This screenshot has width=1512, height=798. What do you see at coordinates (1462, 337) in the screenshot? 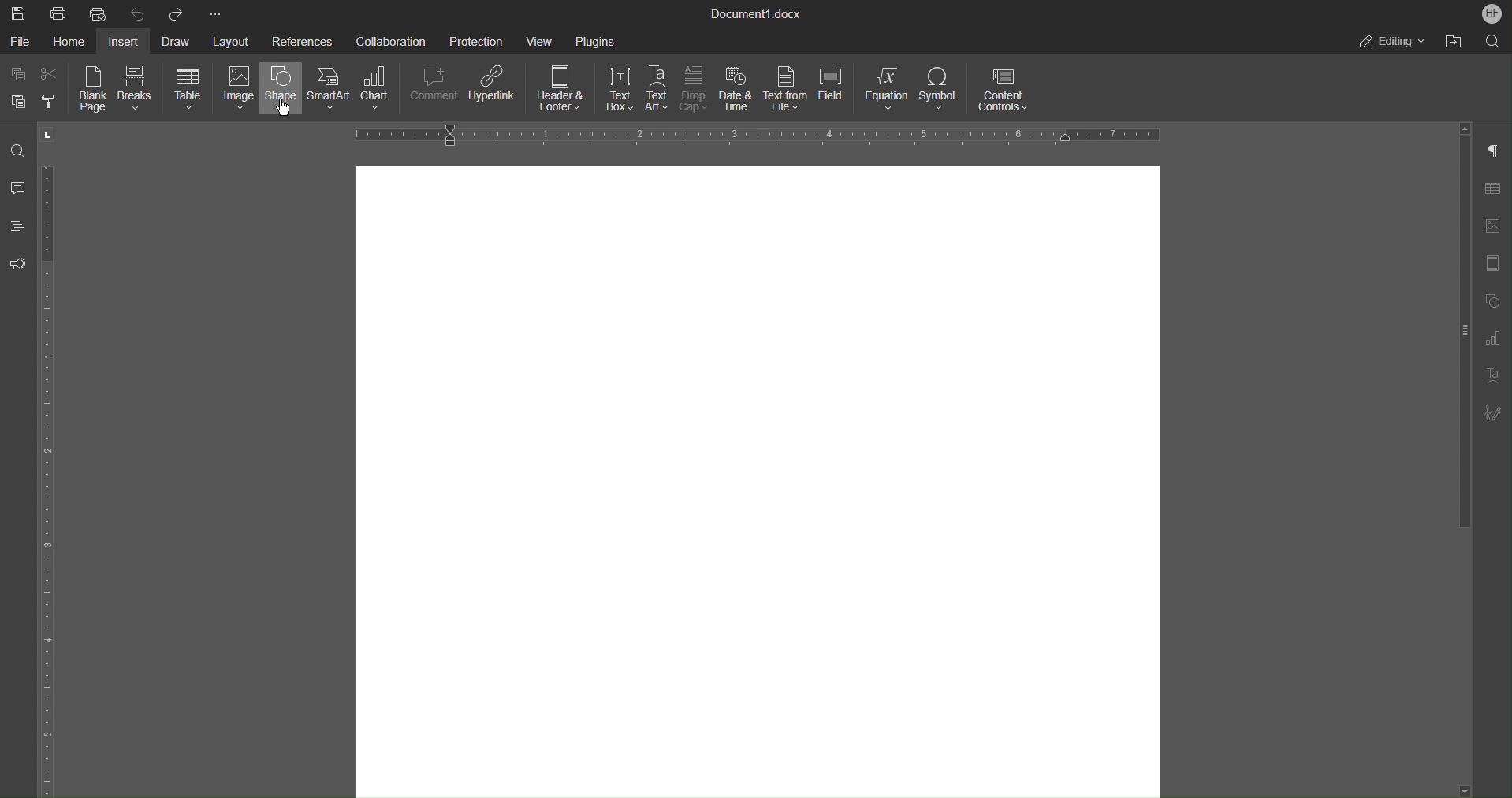
I see `Vertical scroll bar` at bounding box center [1462, 337].